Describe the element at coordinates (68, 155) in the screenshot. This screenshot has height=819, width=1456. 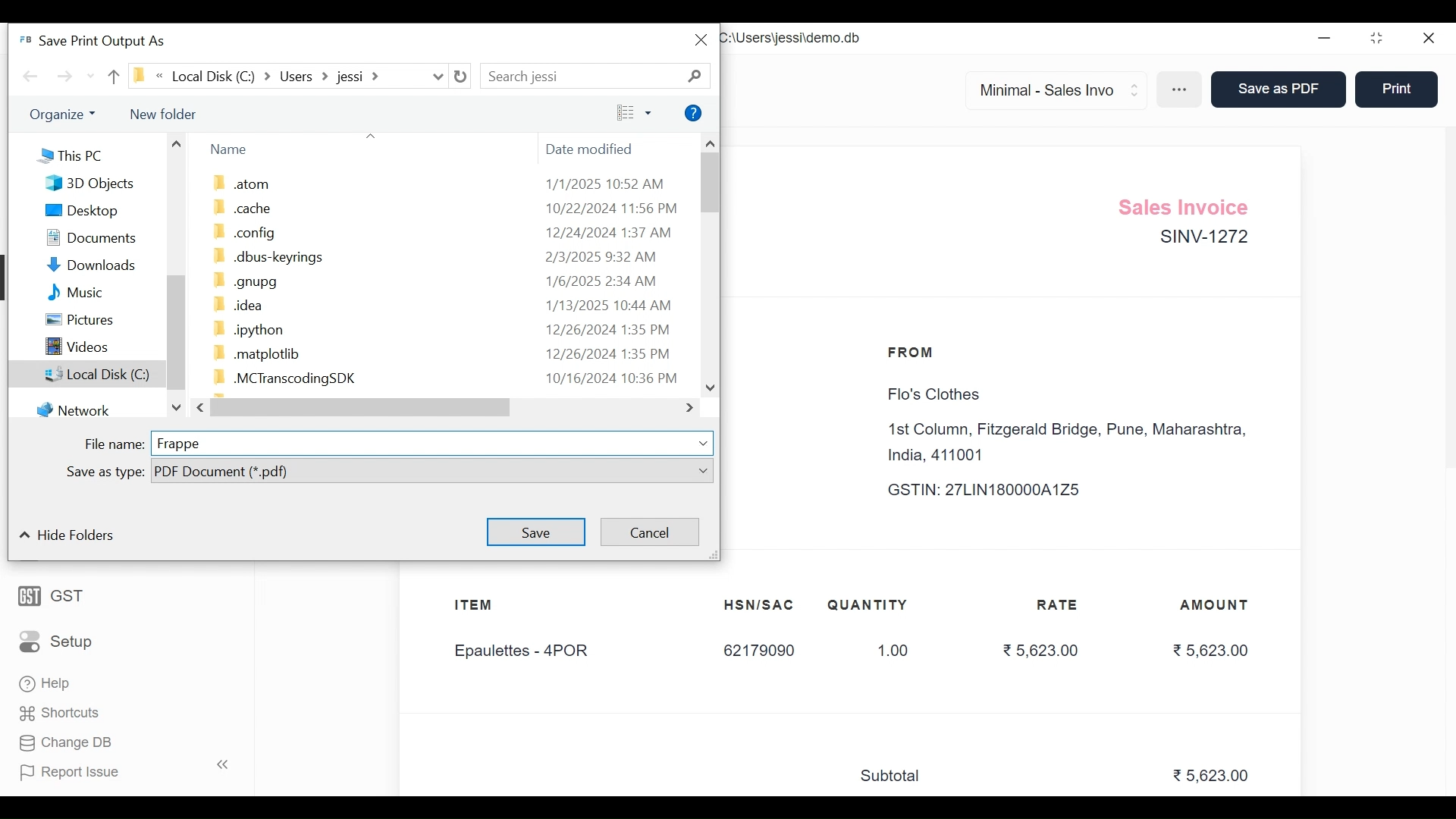
I see `This PC` at that location.